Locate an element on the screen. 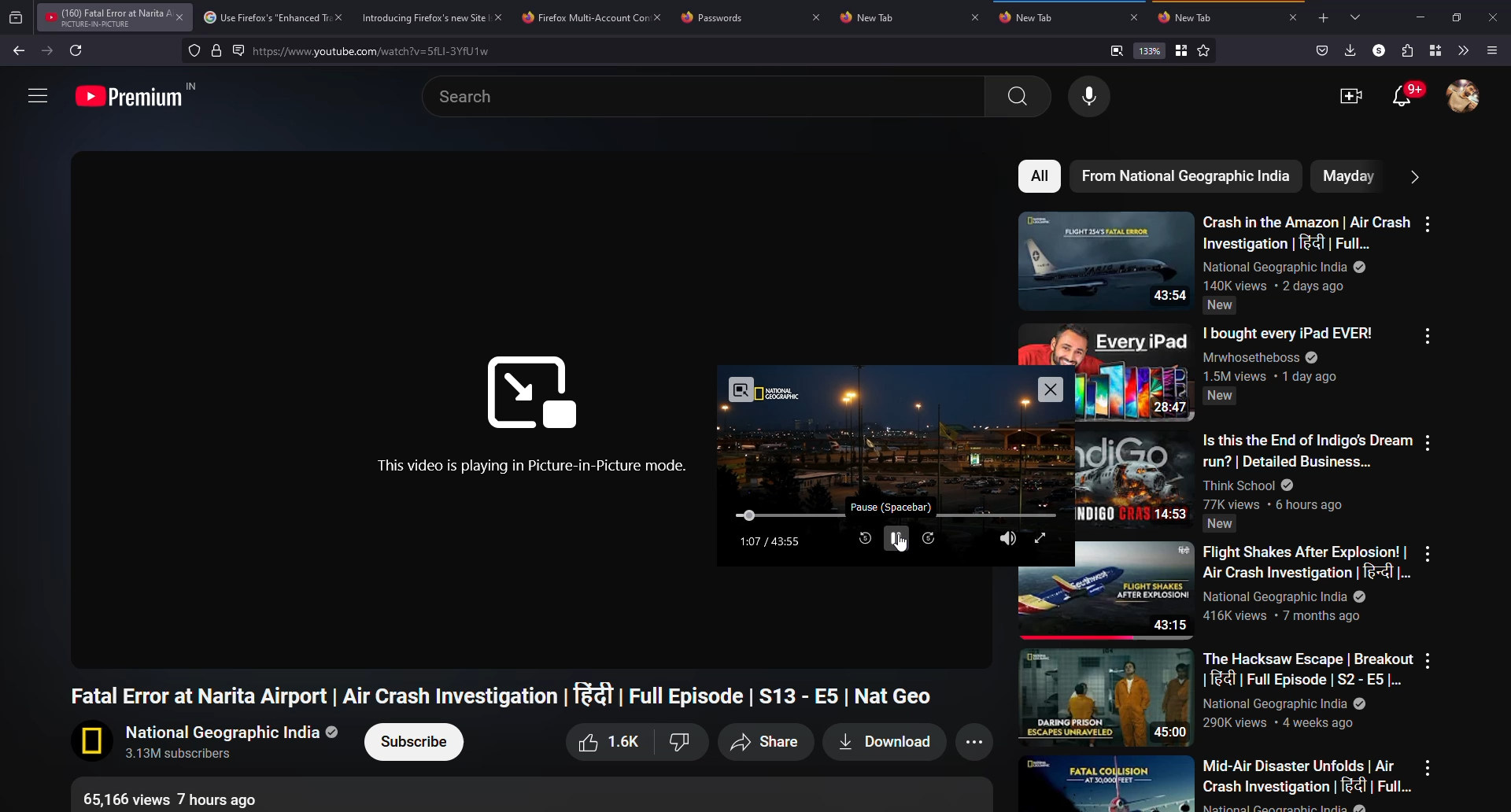 The image size is (1511, 812). close is located at coordinates (816, 17).